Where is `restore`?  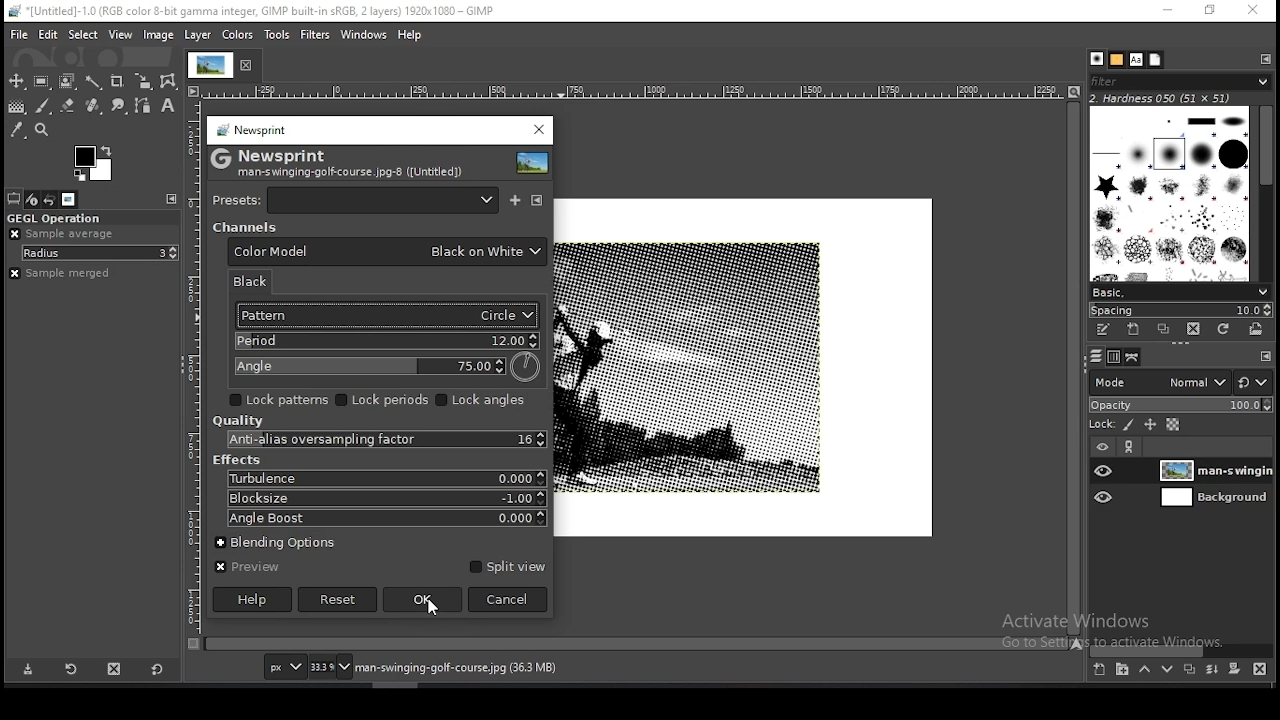 restore is located at coordinates (1212, 11).